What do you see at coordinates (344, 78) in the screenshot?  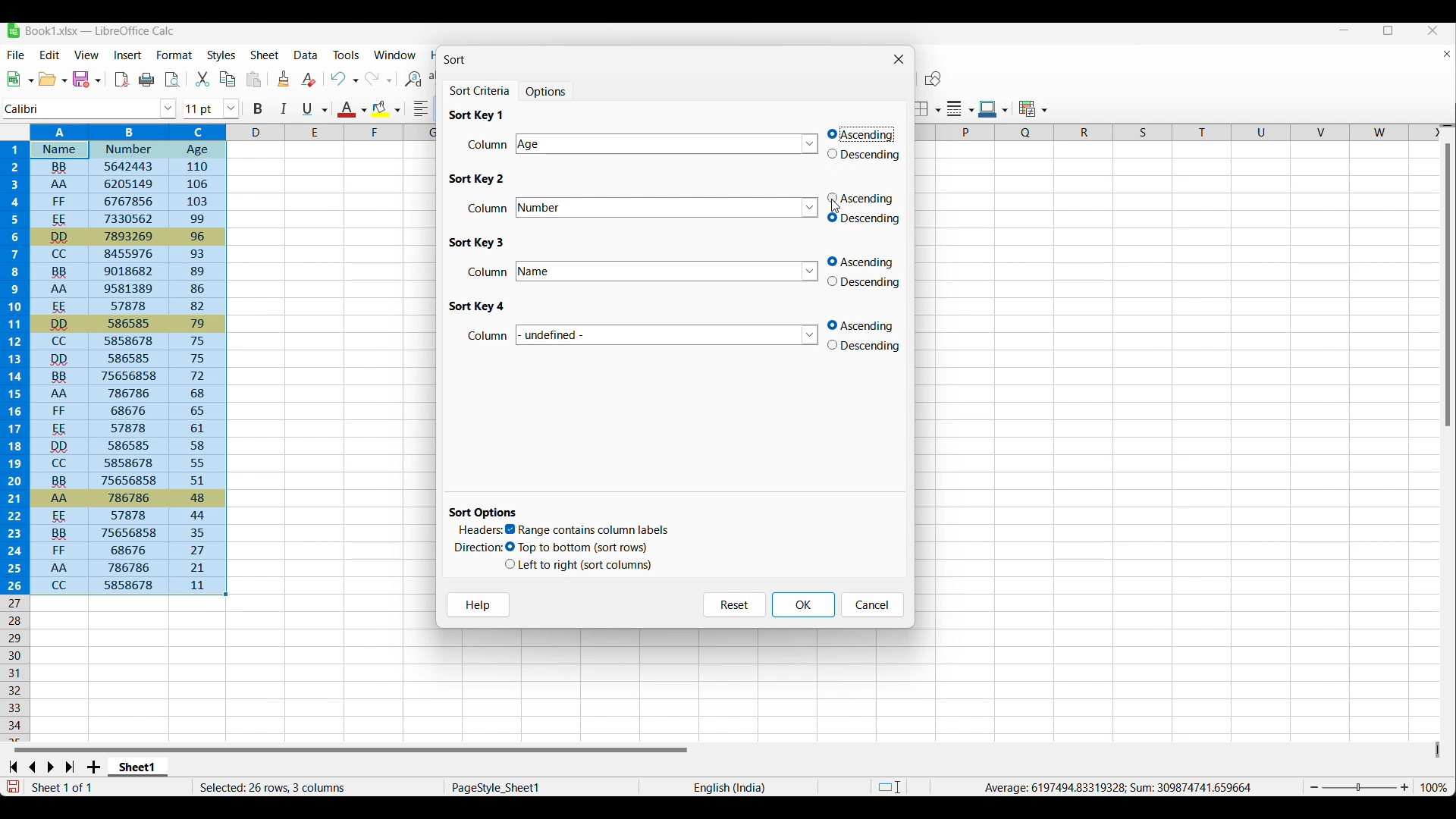 I see `Undo and undo options` at bounding box center [344, 78].